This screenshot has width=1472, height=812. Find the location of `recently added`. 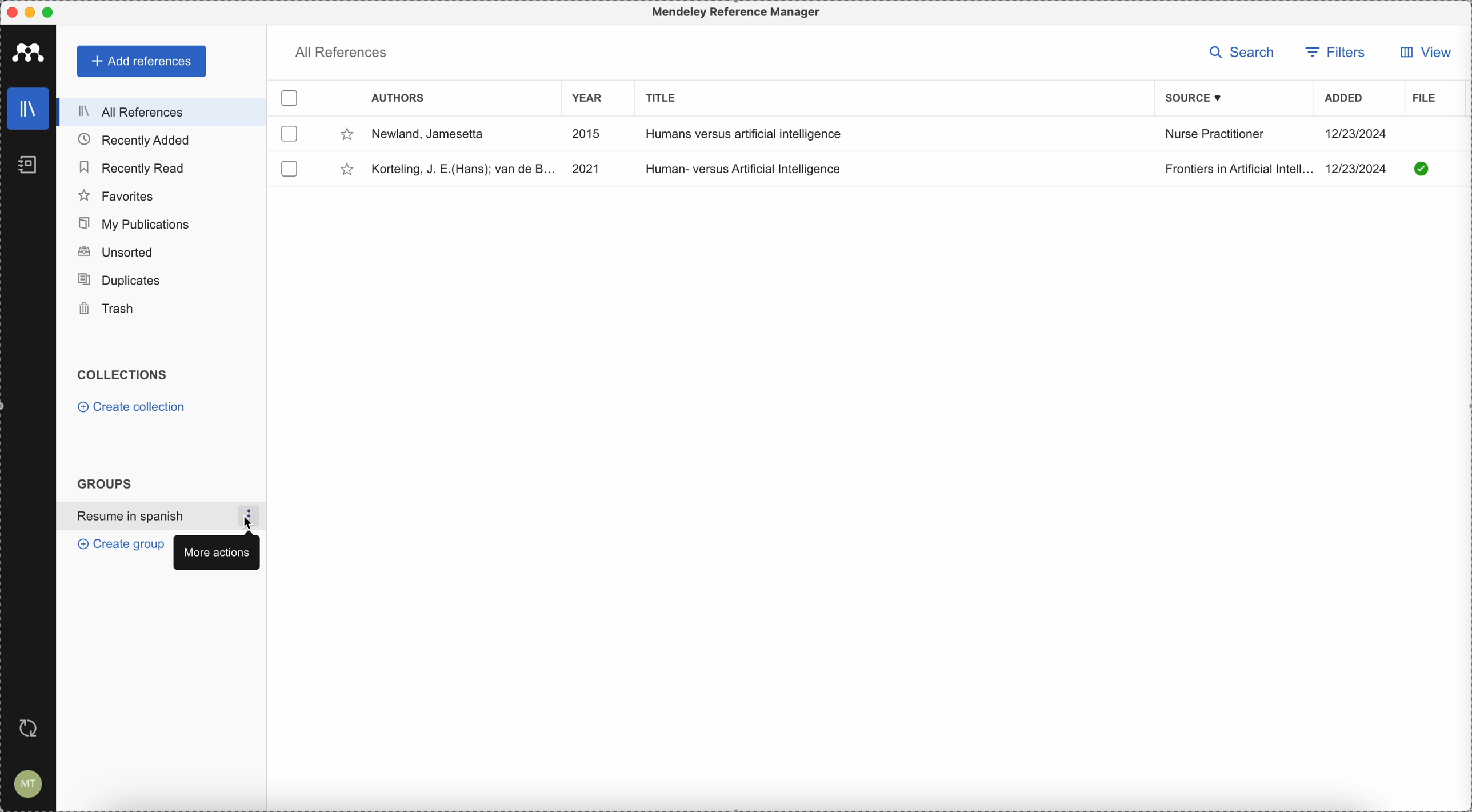

recently added is located at coordinates (134, 139).